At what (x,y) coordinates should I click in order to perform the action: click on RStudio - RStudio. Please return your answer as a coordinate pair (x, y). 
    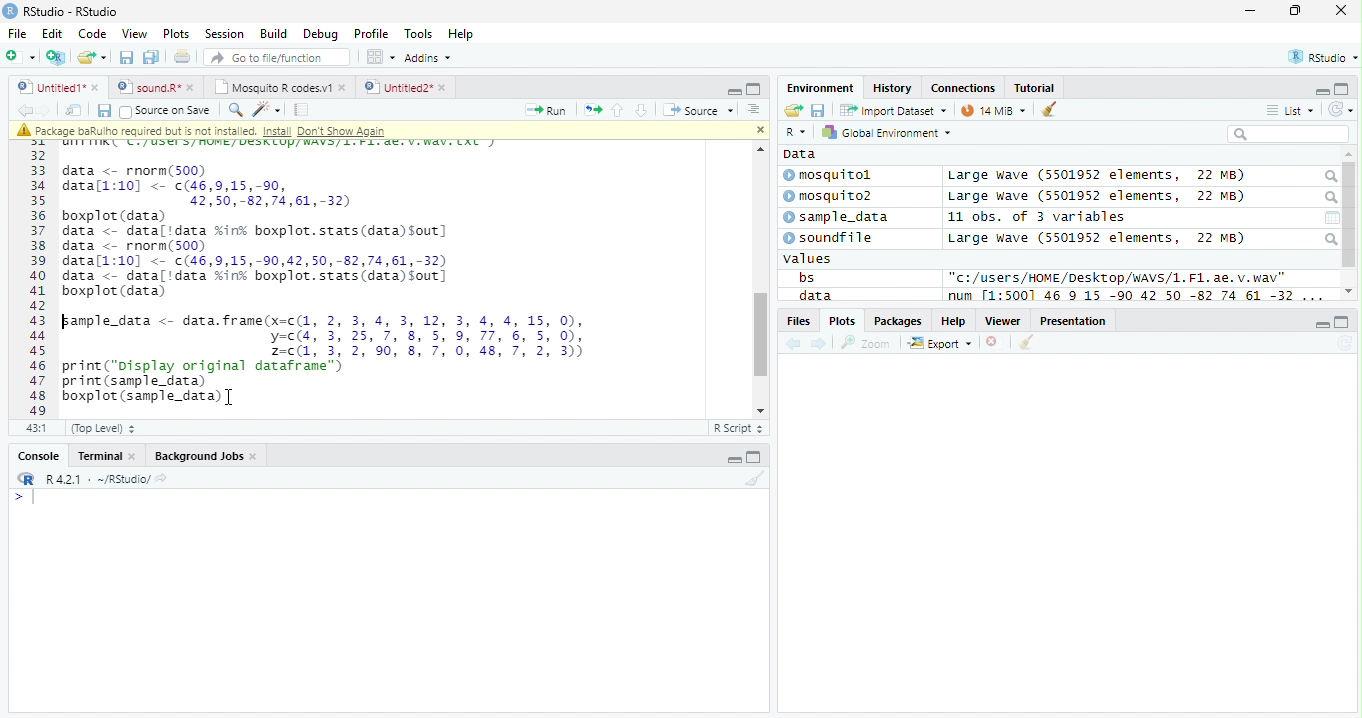
    Looking at the image, I should click on (71, 11).